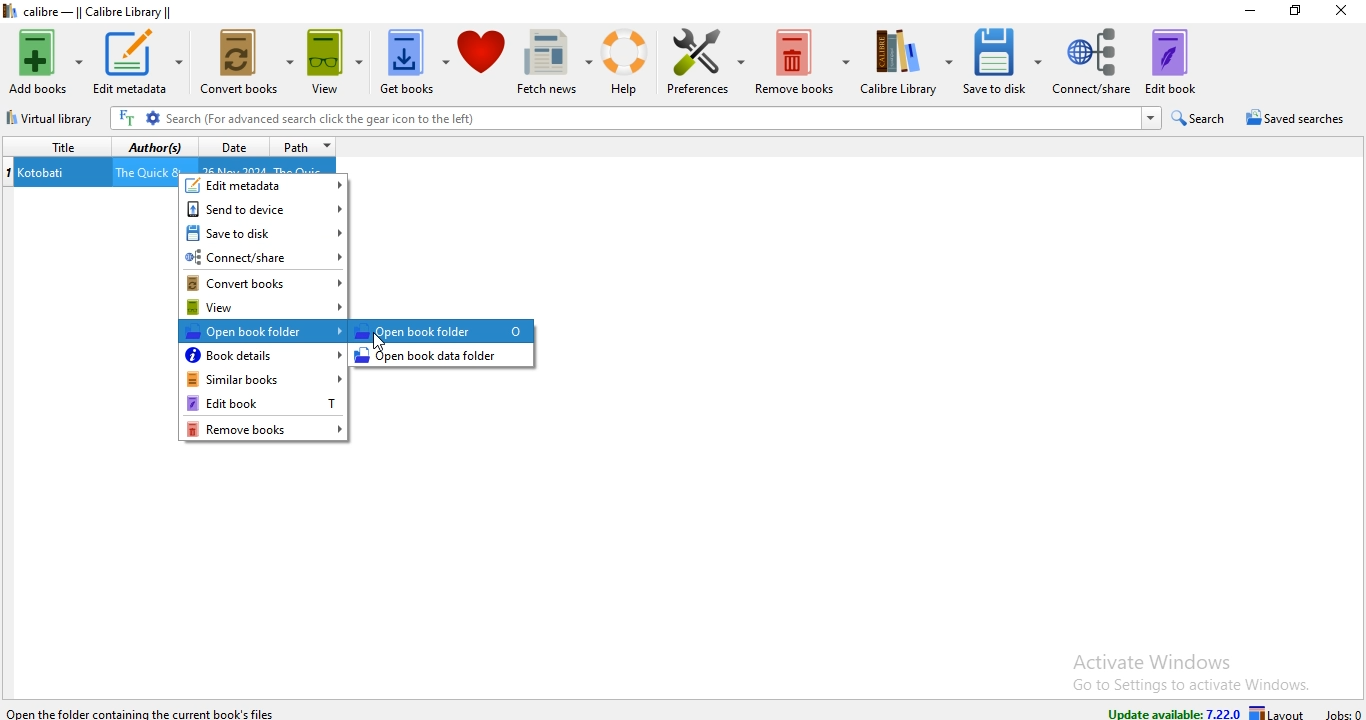  Describe the element at coordinates (1293, 118) in the screenshot. I see ` saved searches` at that location.